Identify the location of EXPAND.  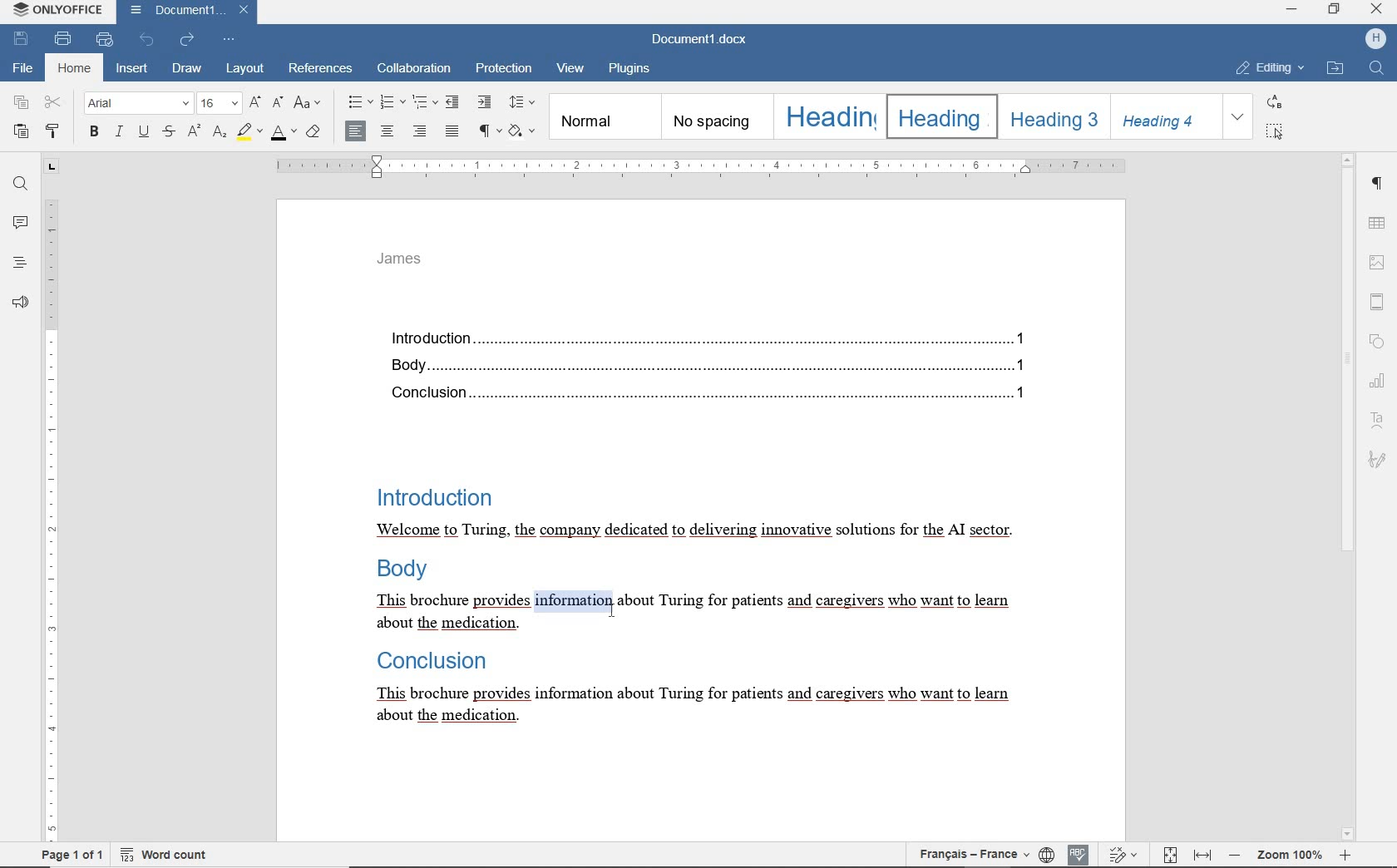
(1238, 117).